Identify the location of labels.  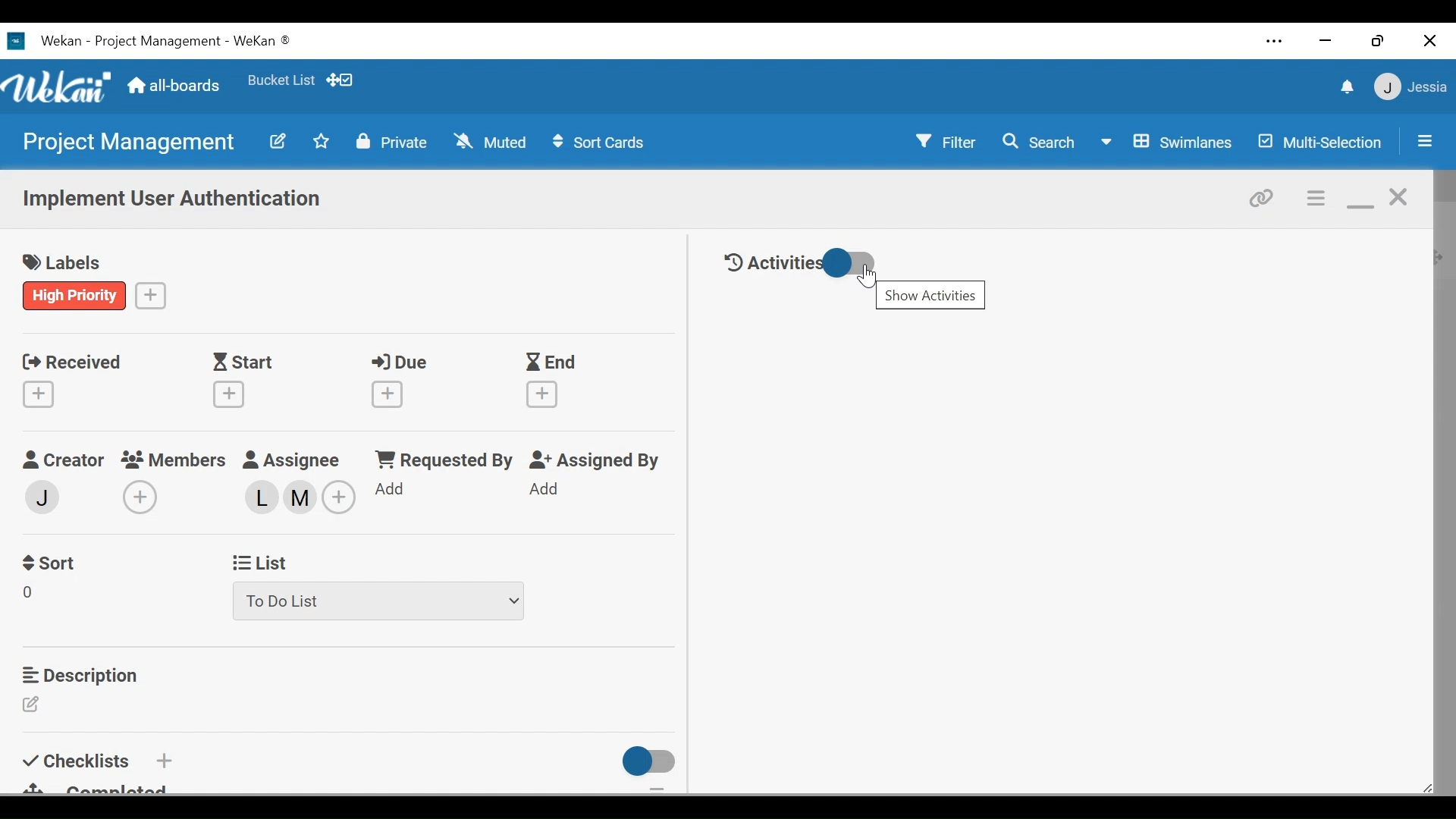
(64, 262).